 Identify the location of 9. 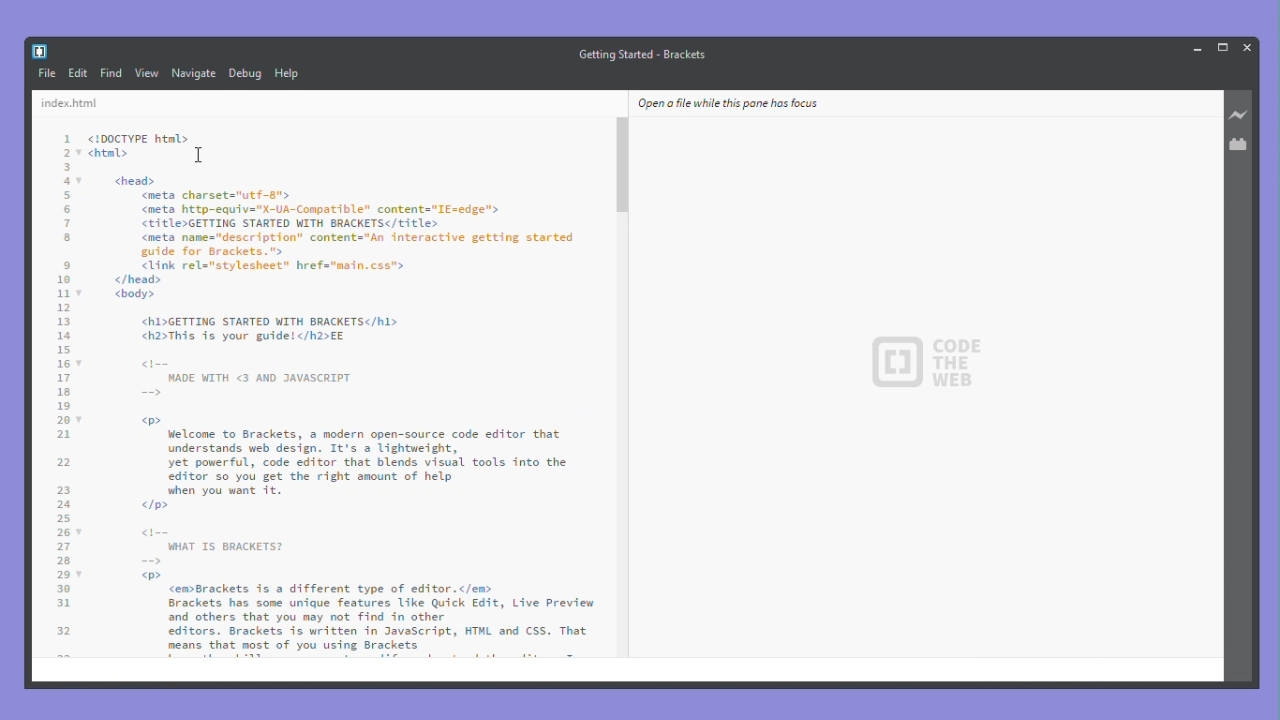
(63, 266).